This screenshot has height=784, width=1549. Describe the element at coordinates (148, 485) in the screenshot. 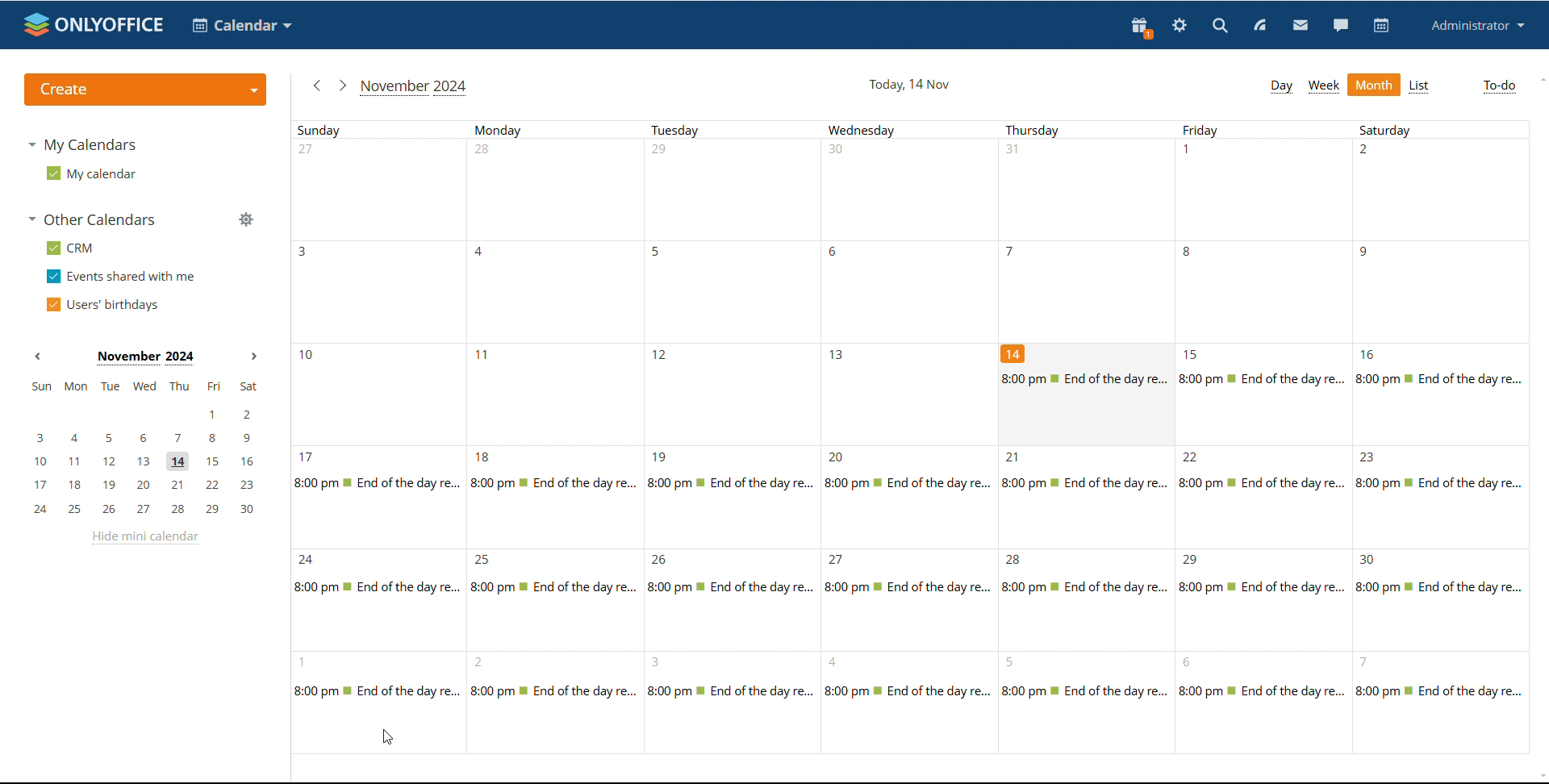

I see `17, 18, 19, 20, 21, 22, 23` at that location.